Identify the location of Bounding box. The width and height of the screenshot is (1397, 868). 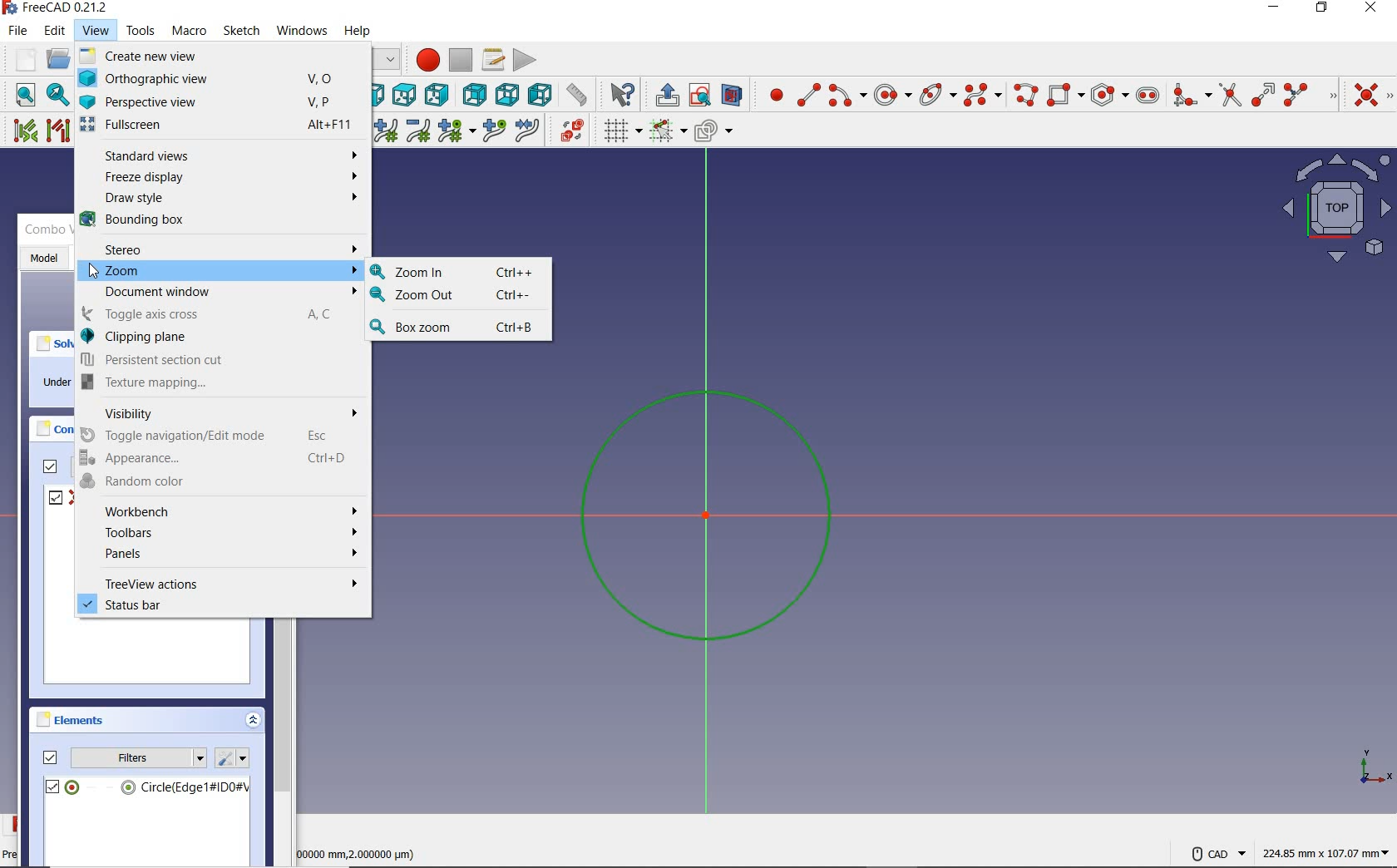
(131, 219).